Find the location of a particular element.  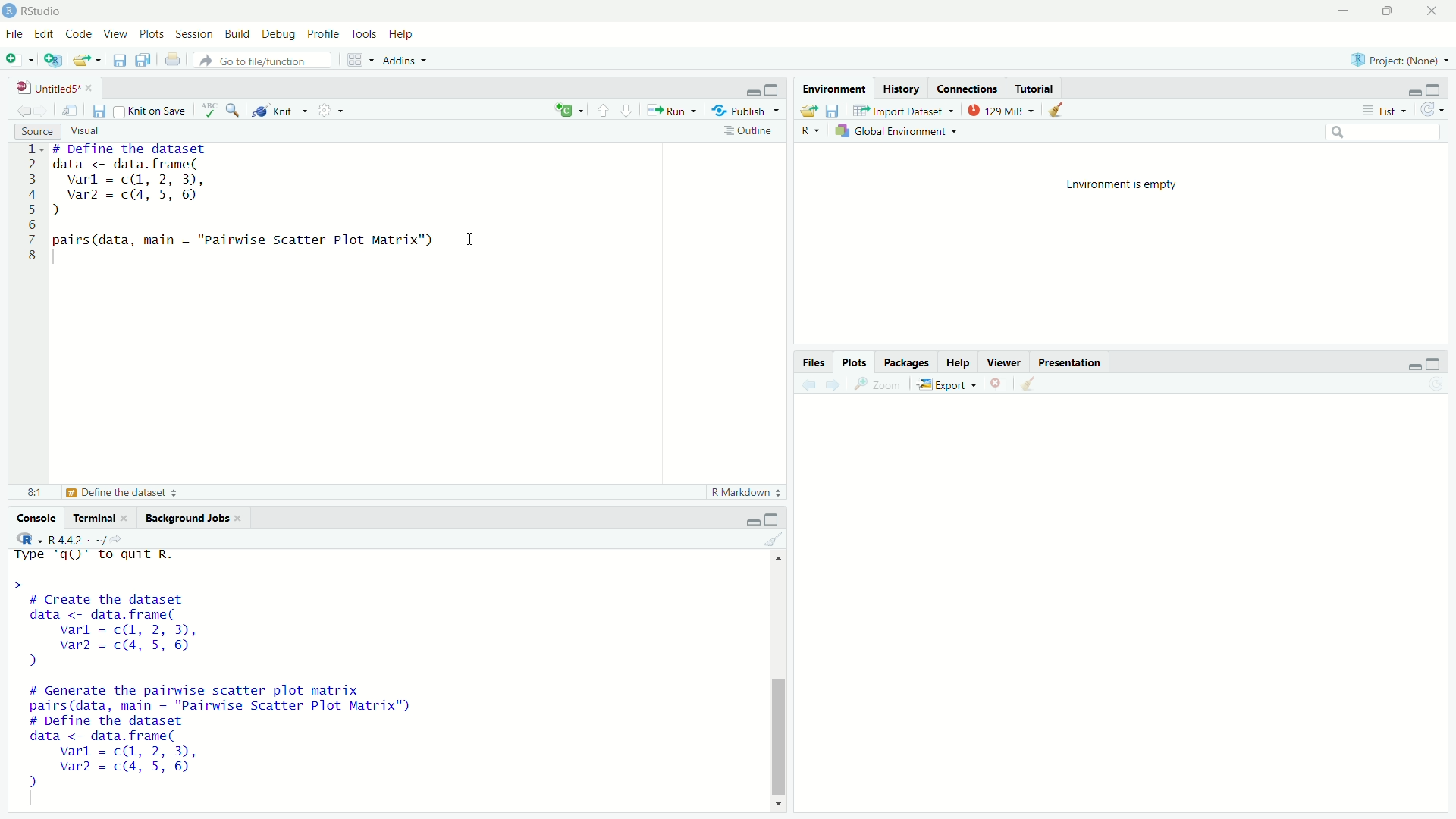

Load workspace is located at coordinates (807, 108).